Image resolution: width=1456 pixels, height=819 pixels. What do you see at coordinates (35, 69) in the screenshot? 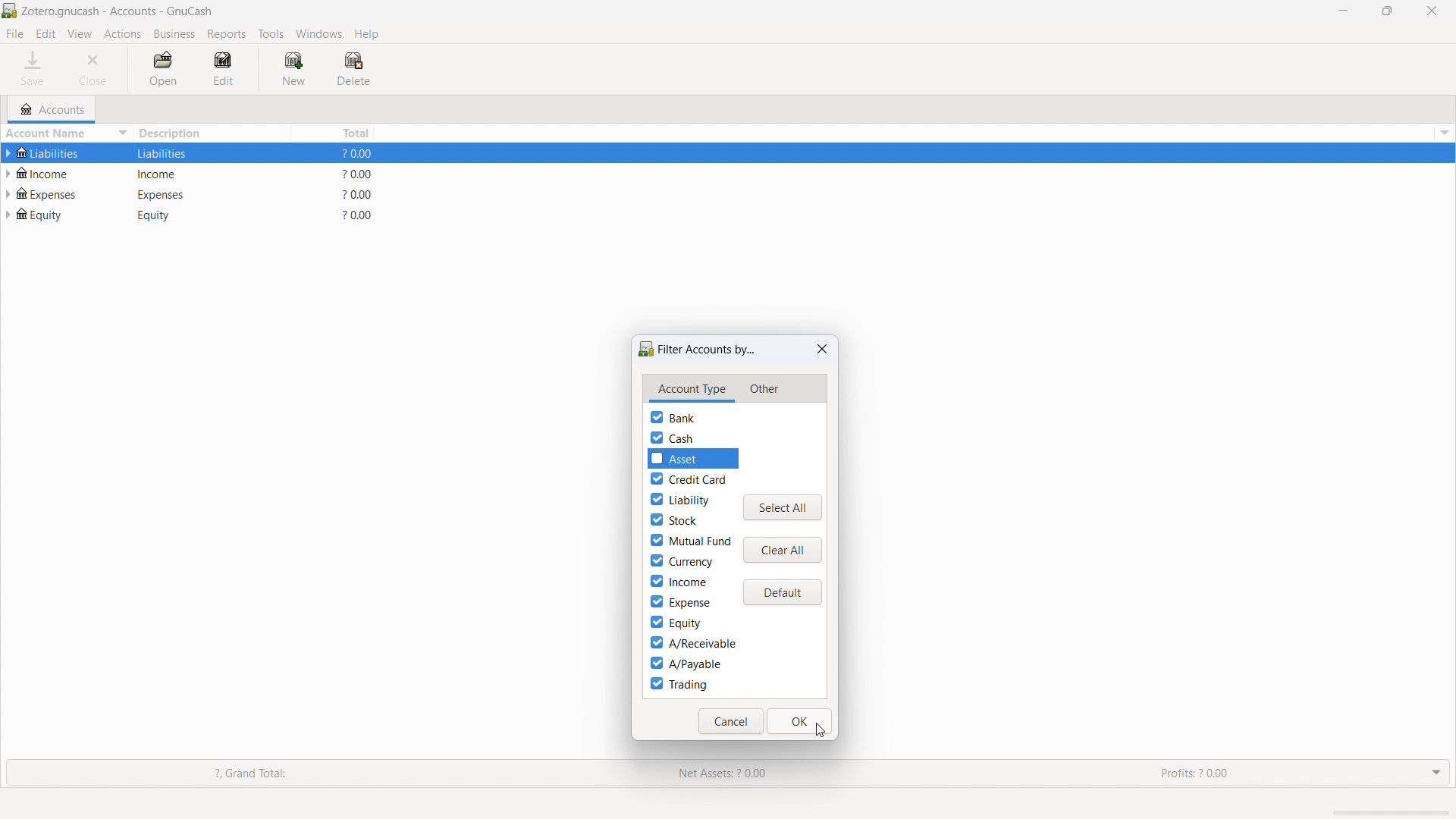
I see `save` at bounding box center [35, 69].